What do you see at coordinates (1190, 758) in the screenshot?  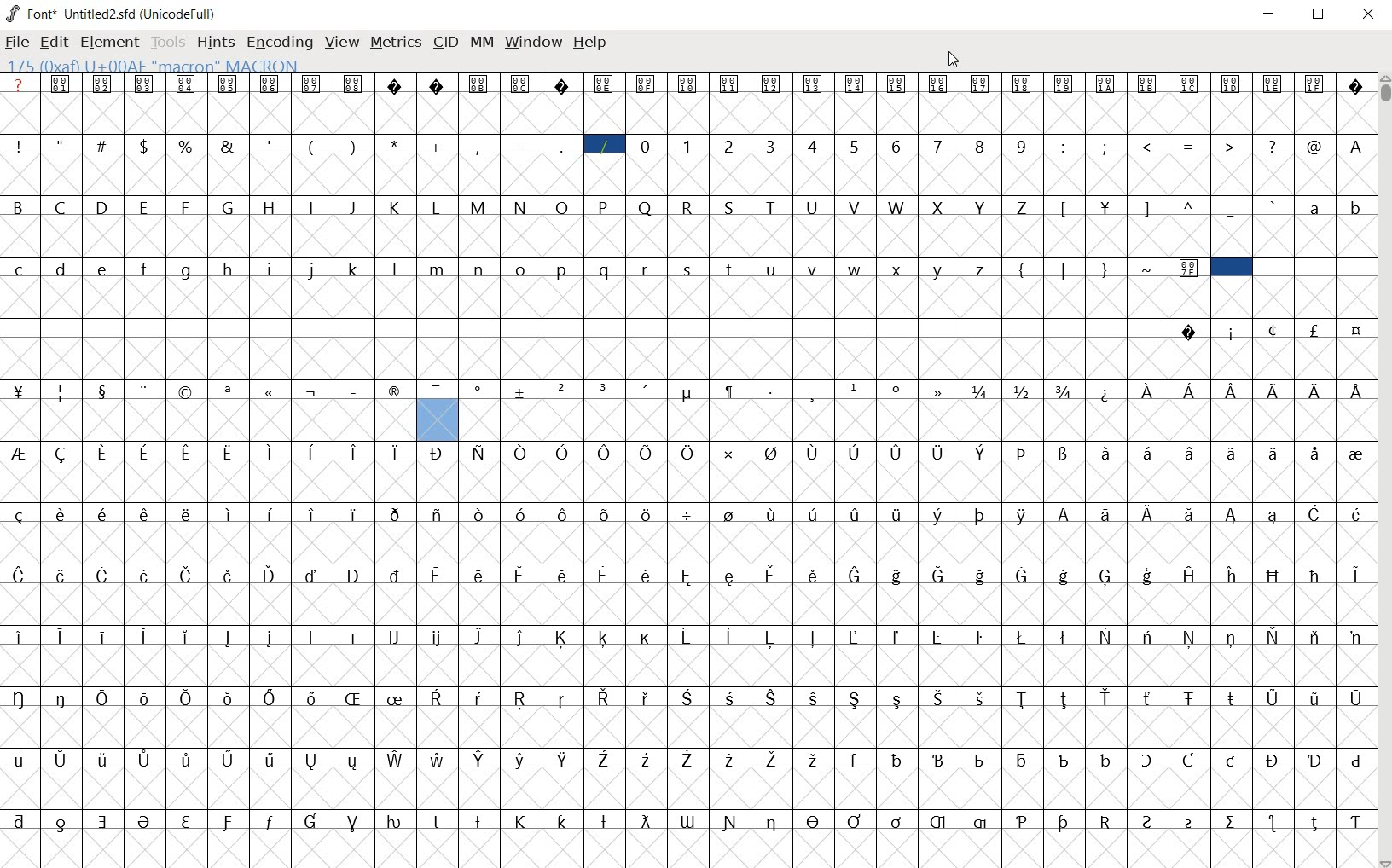 I see `` at bounding box center [1190, 758].